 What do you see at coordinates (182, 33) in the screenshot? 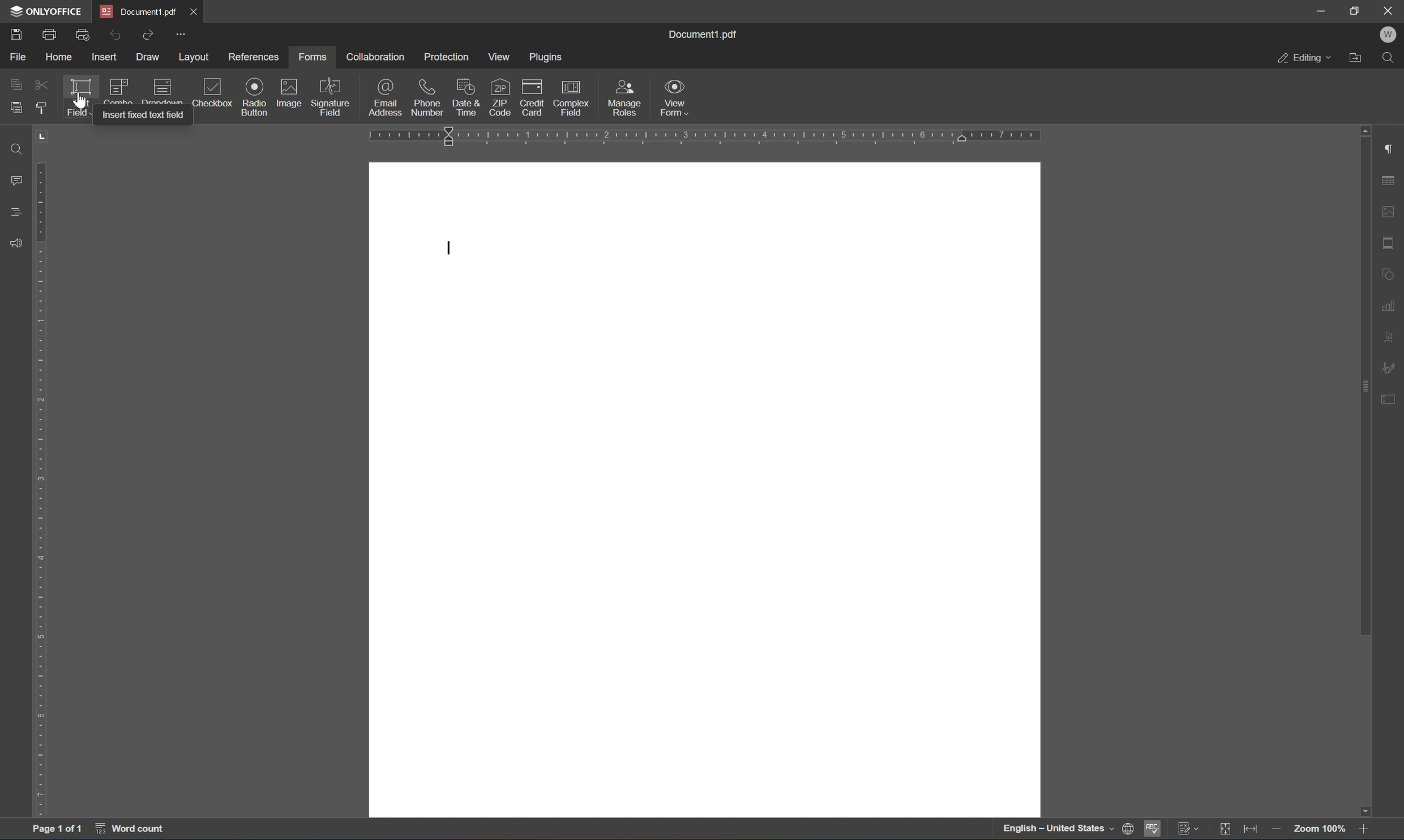
I see `more` at bounding box center [182, 33].